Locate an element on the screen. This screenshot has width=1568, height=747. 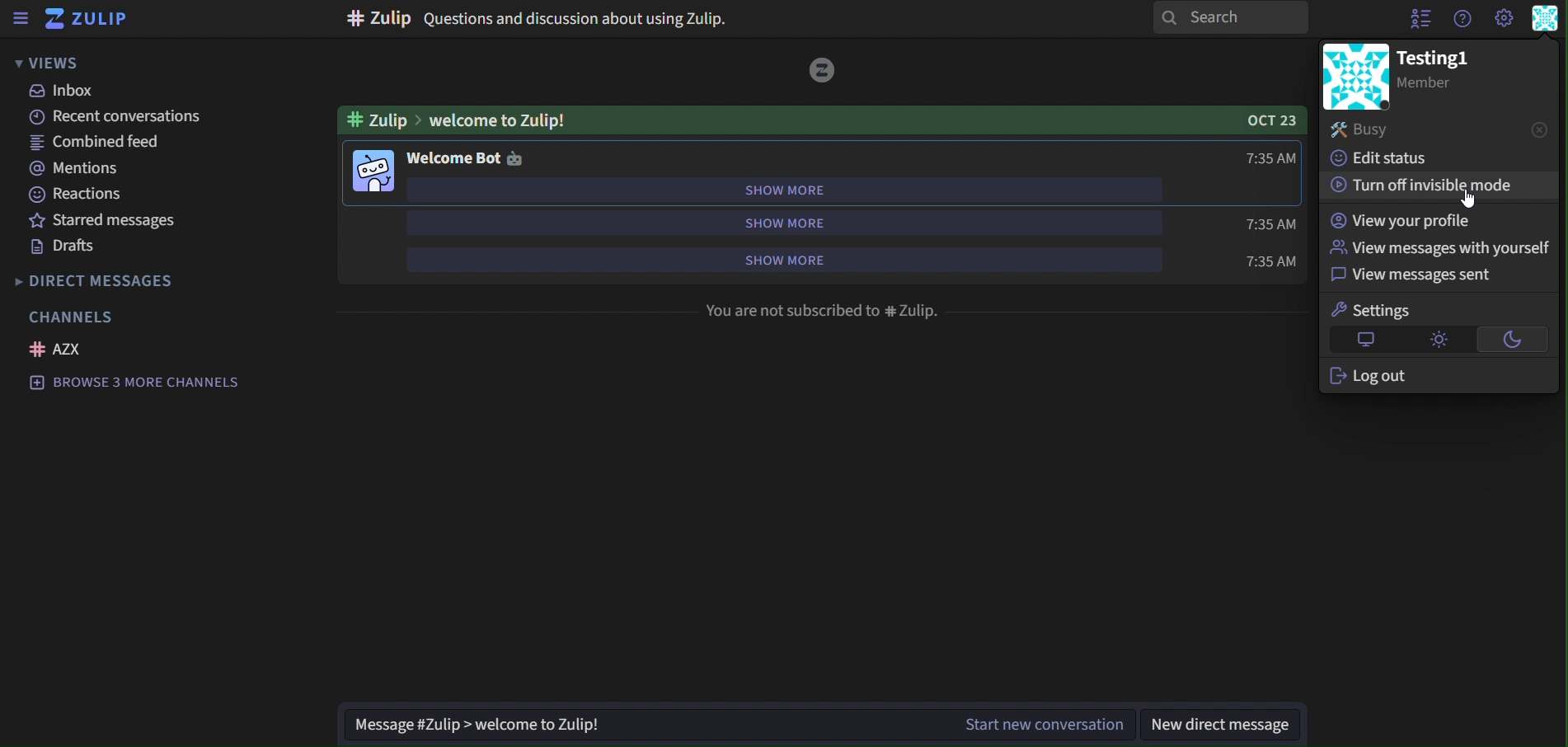
settings is located at coordinates (1403, 310).